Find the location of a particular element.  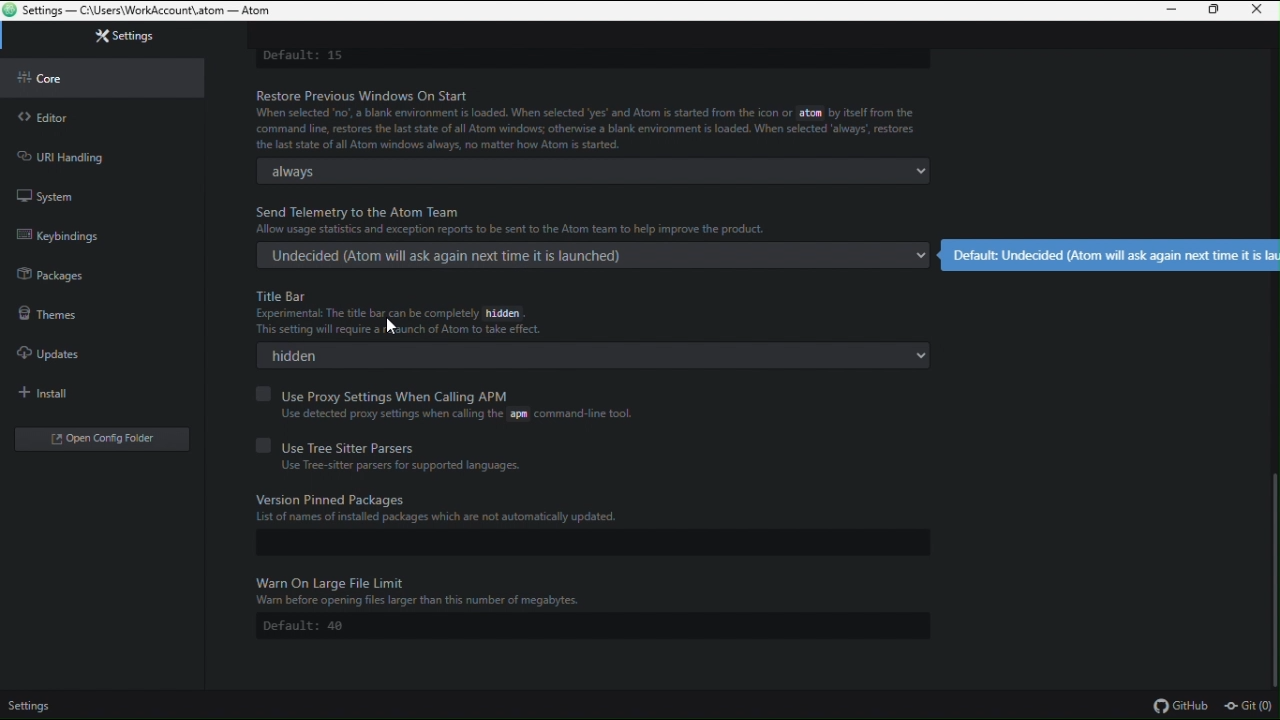

Send Telemetry to the Atom Team
Allow usage statistics and exception reports to be sent to the Atom tesm 0 help improve the product. is located at coordinates (532, 219).